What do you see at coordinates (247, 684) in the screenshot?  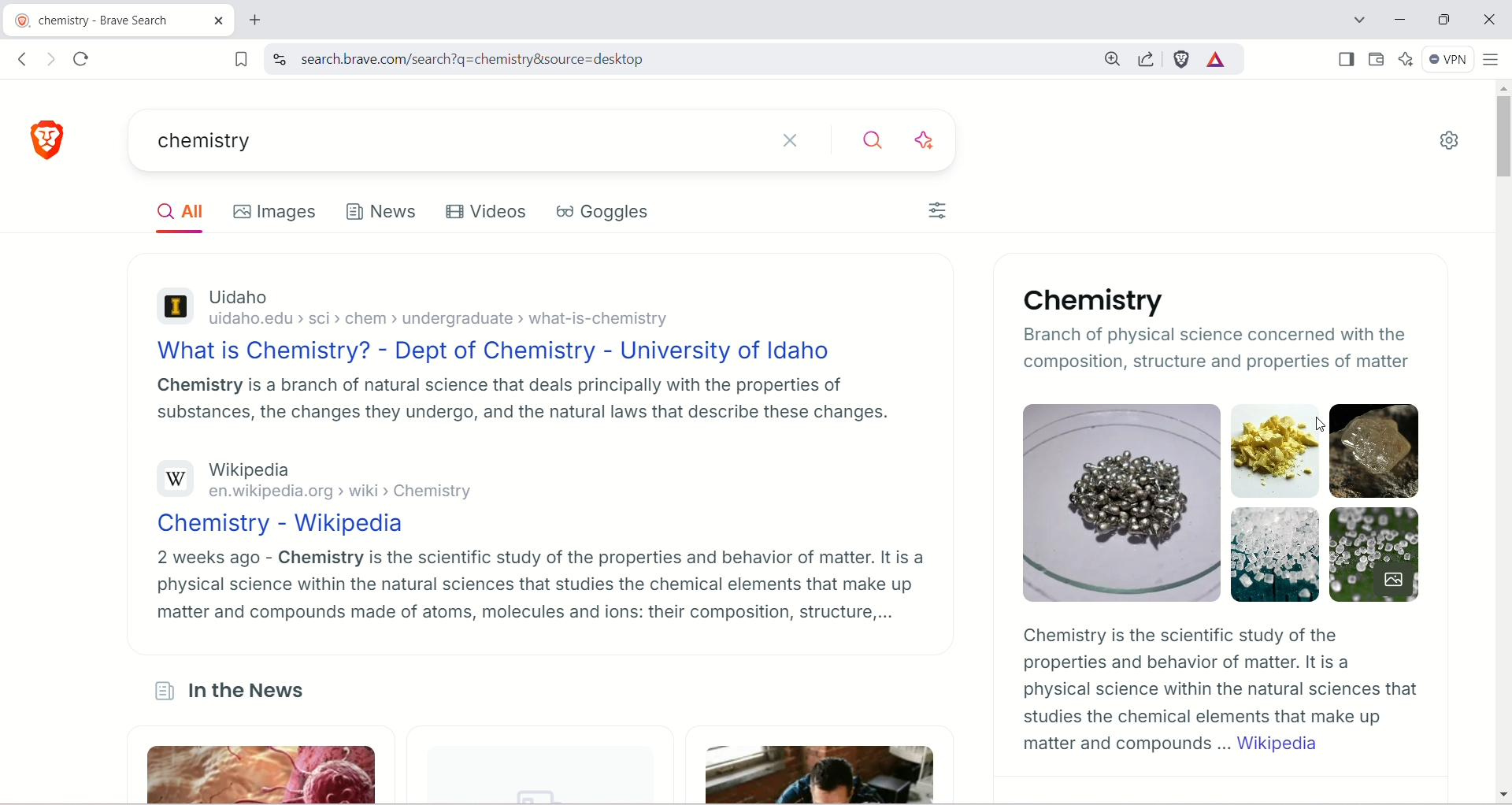 I see `In the News` at bounding box center [247, 684].